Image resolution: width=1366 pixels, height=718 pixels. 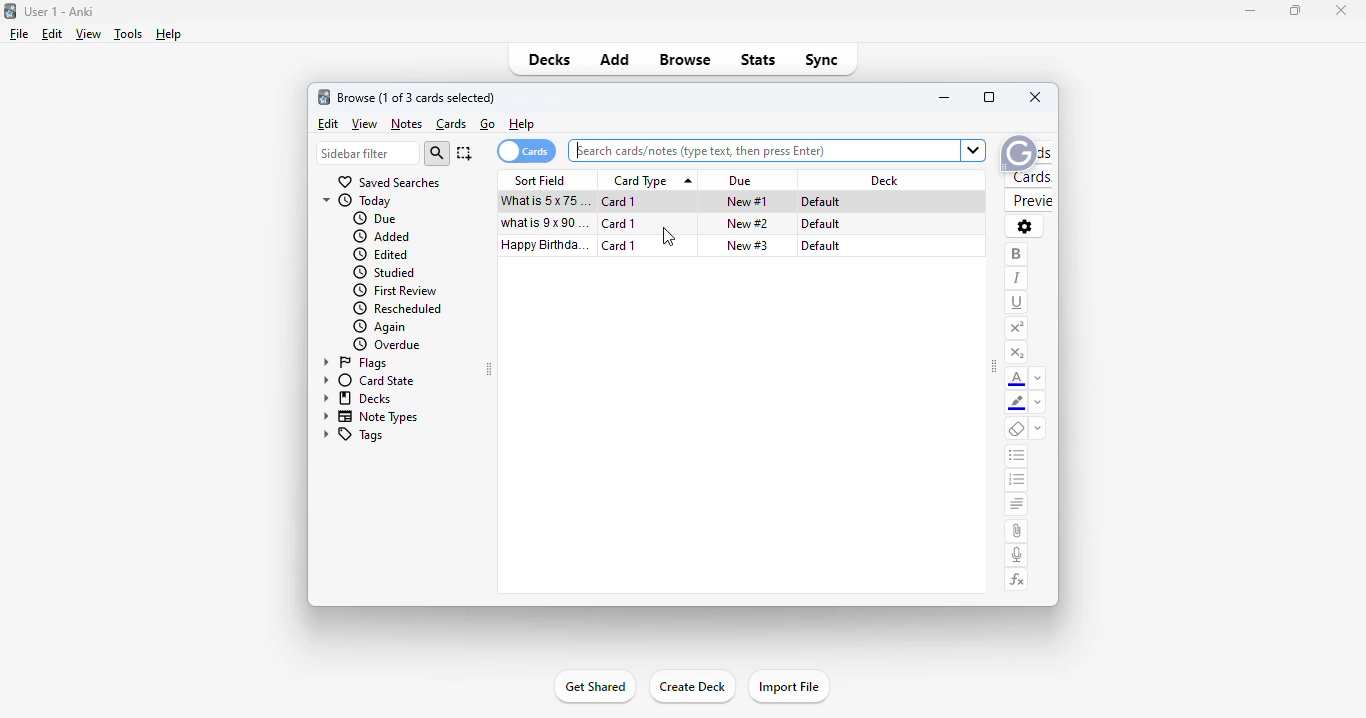 What do you see at coordinates (1030, 176) in the screenshot?
I see `cards` at bounding box center [1030, 176].